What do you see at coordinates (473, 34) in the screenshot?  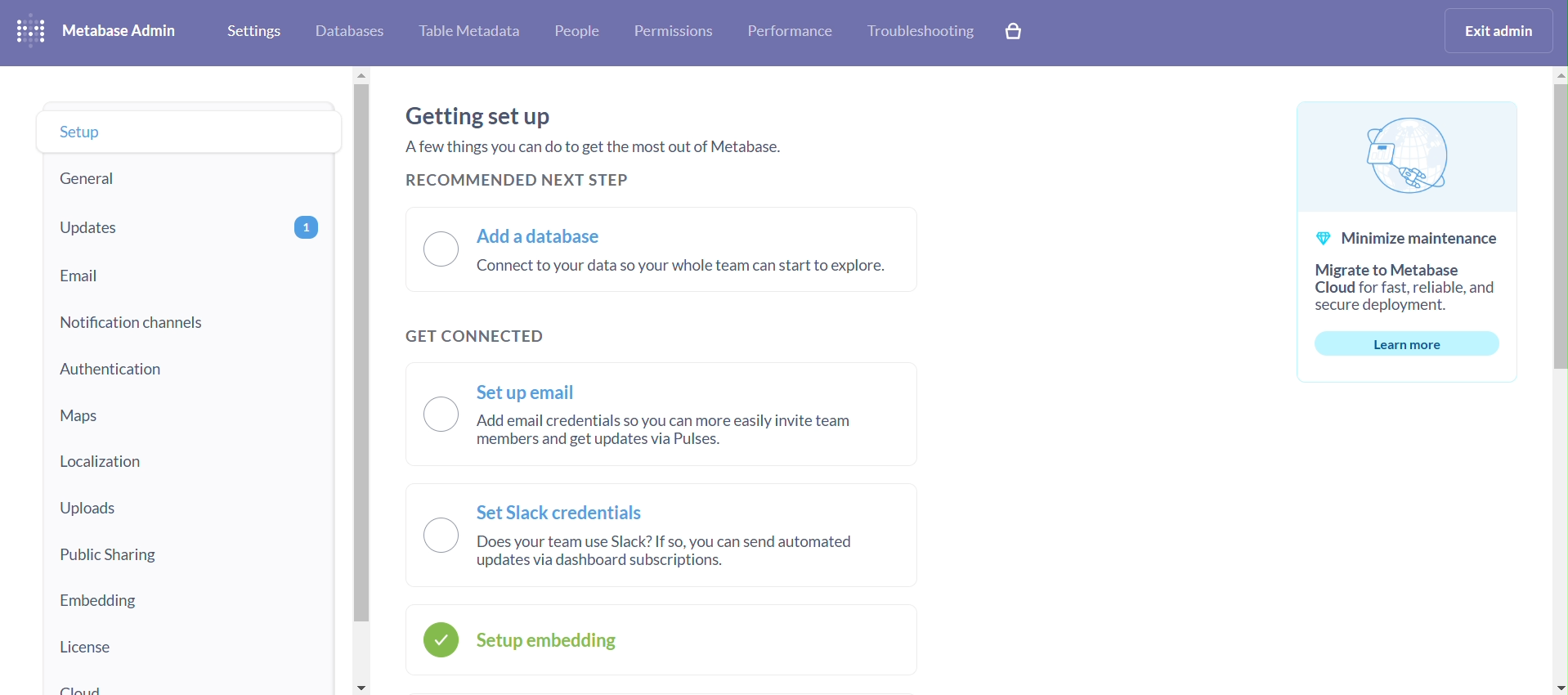 I see `table metadata` at bounding box center [473, 34].